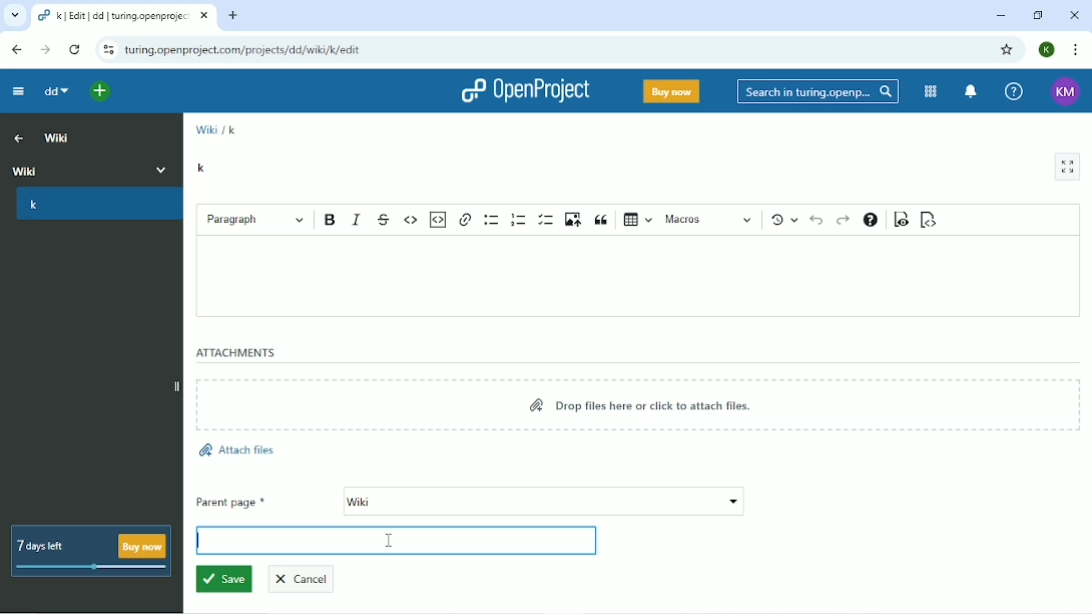 The width and height of the screenshot is (1092, 614). What do you see at coordinates (223, 580) in the screenshot?
I see `Save` at bounding box center [223, 580].